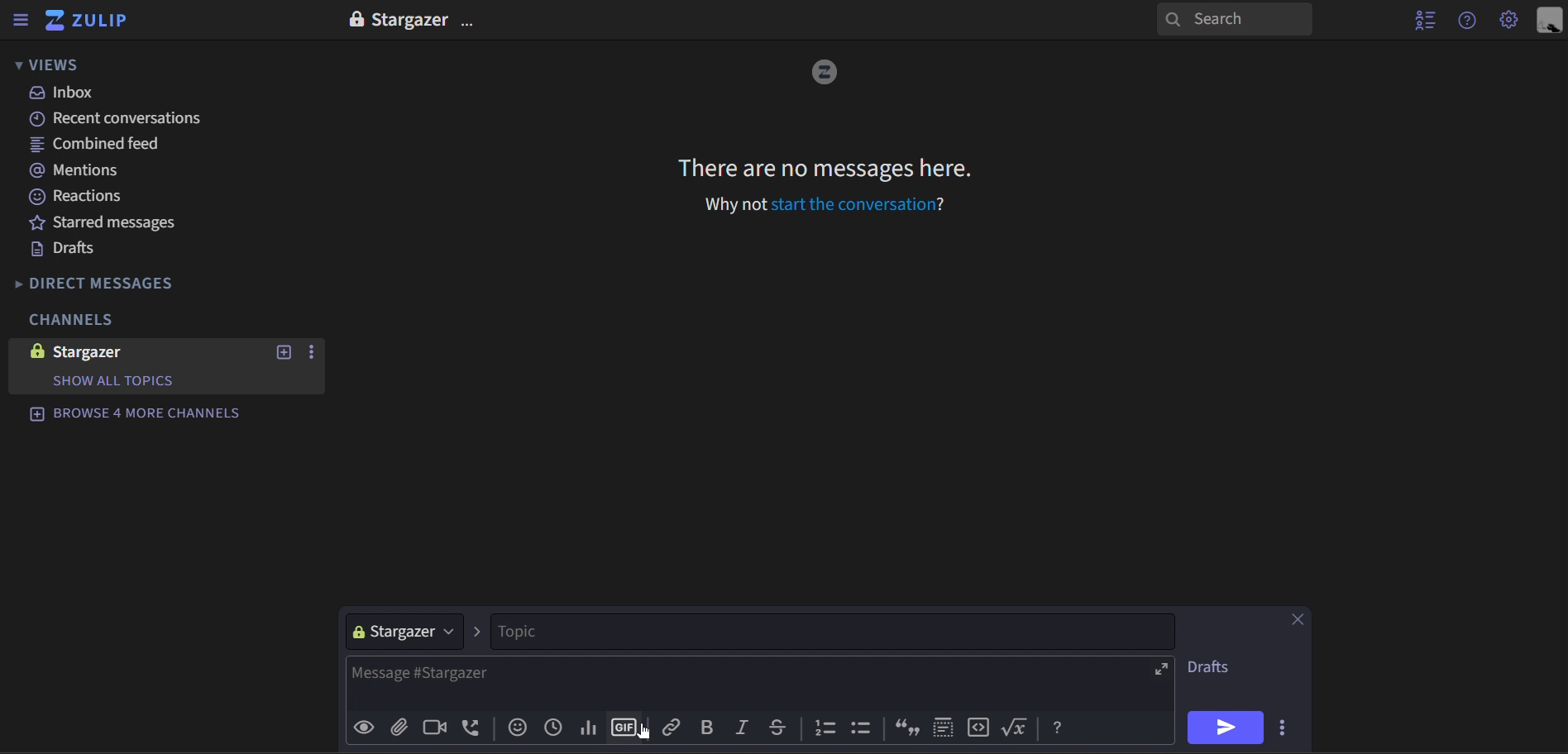 Image resolution: width=1568 pixels, height=754 pixels. What do you see at coordinates (594, 728) in the screenshot?
I see `add poll` at bounding box center [594, 728].